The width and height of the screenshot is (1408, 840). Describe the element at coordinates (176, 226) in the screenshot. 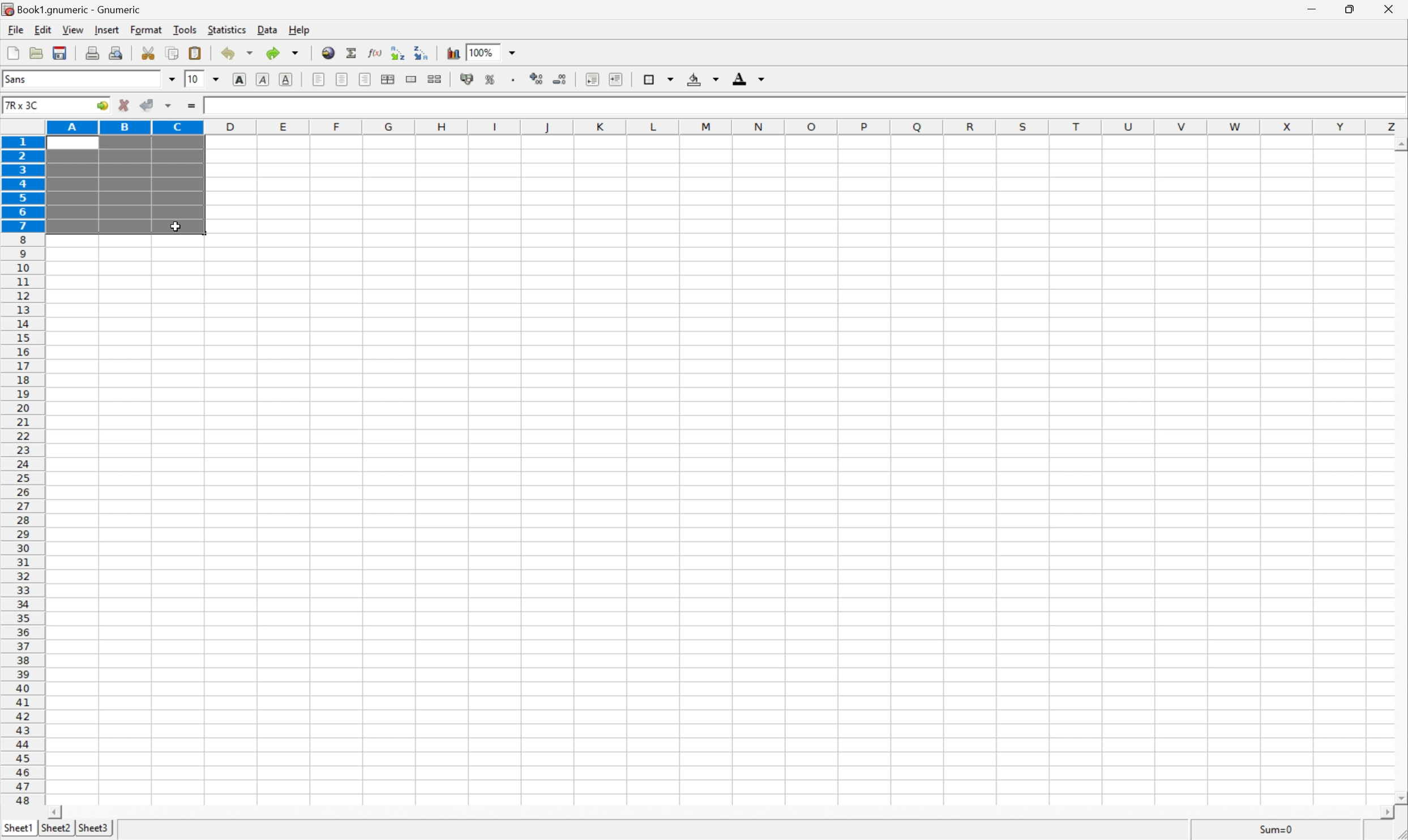

I see `Cursor on cell C7` at that location.